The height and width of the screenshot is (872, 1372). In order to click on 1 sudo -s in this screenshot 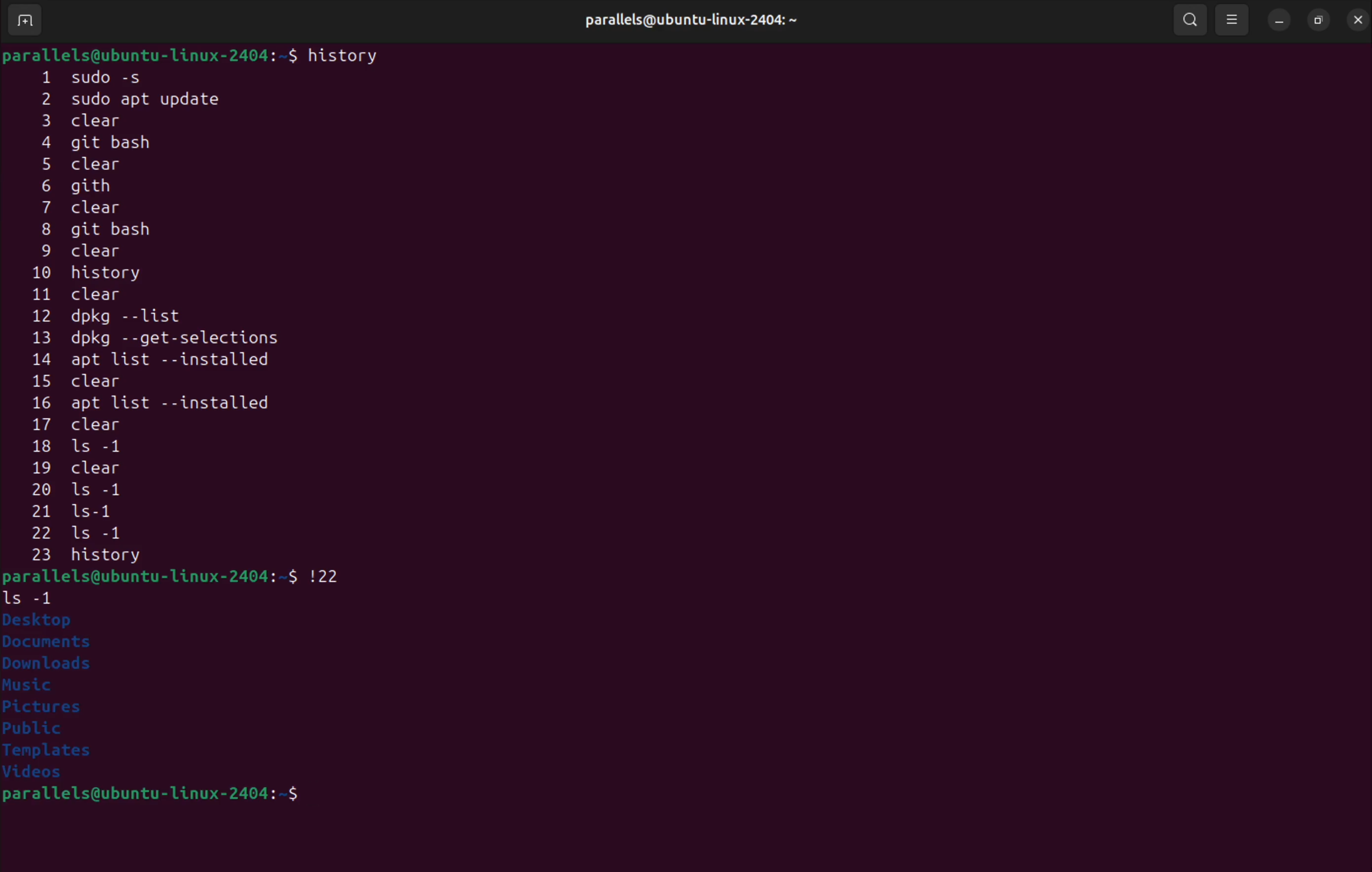, I will do `click(104, 76)`.